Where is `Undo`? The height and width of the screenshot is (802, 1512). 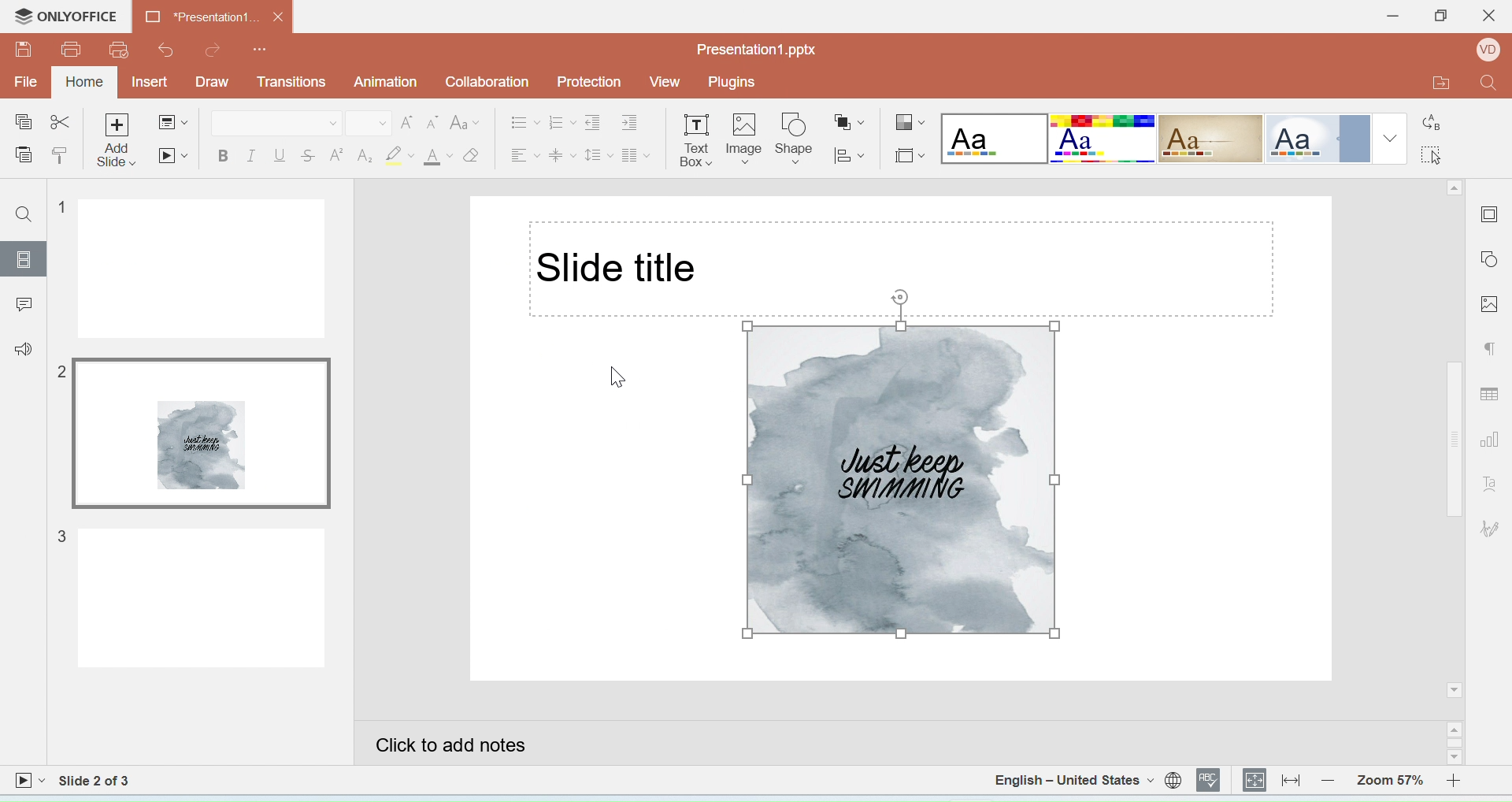 Undo is located at coordinates (163, 50).